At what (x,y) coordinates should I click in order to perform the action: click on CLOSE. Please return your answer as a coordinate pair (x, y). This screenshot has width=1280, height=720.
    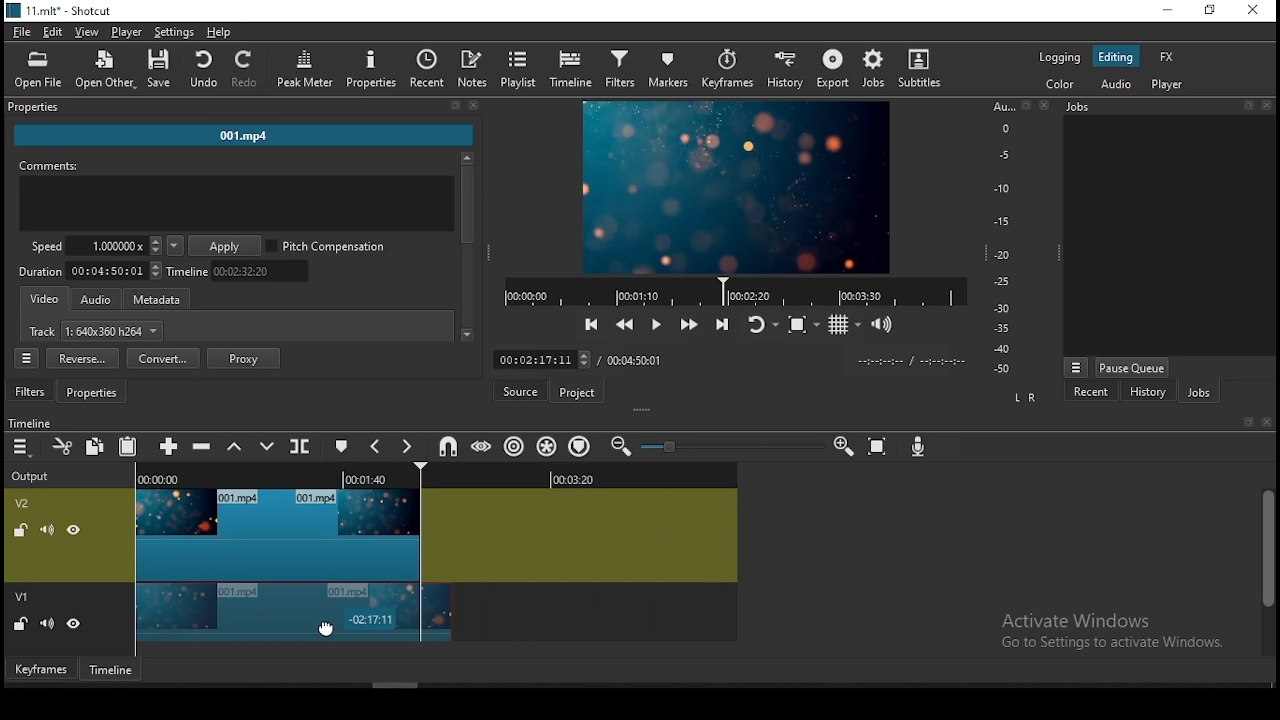
    Looking at the image, I should click on (1265, 423).